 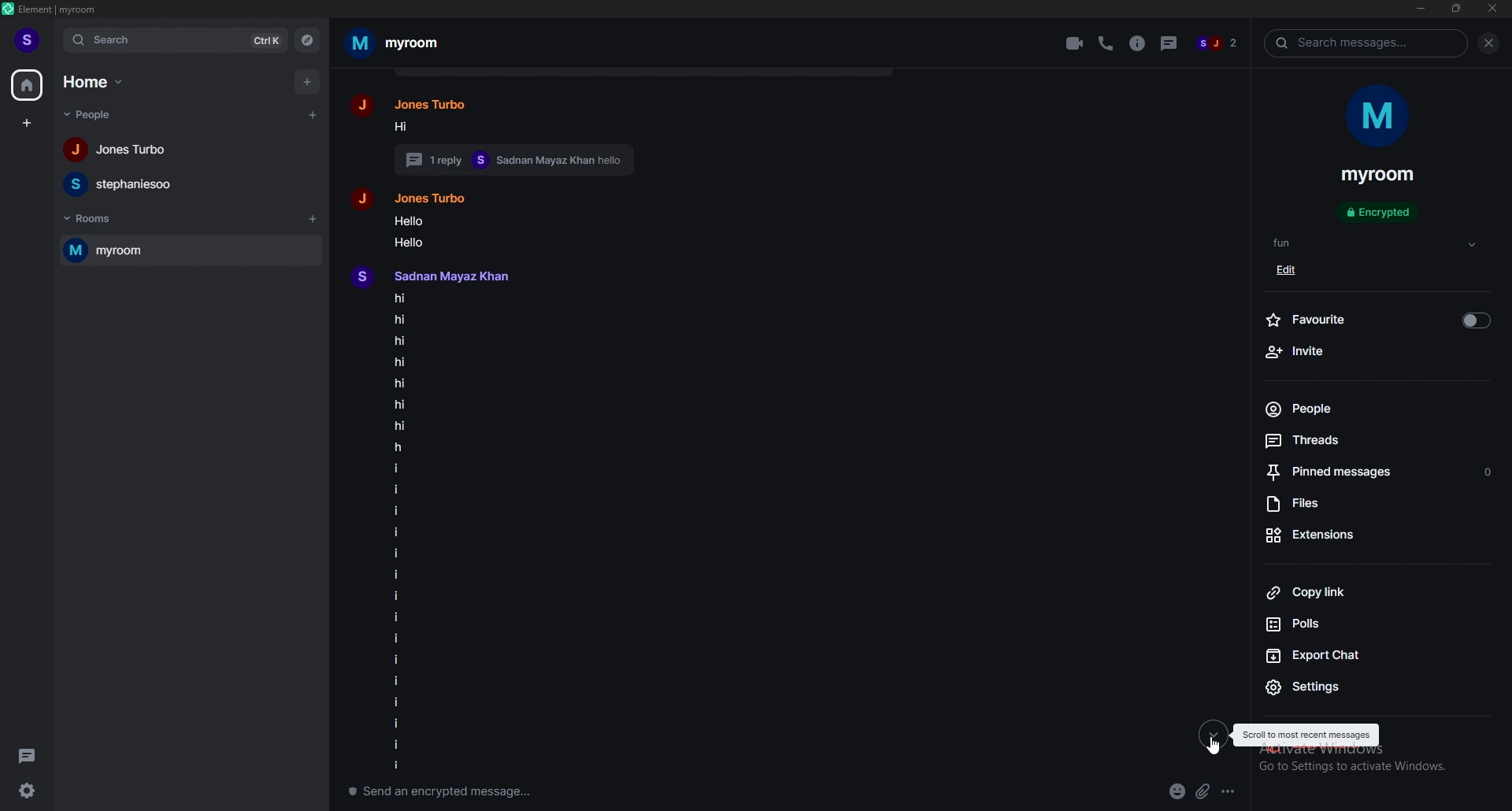 I want to click on encrypted, so click(x=1382, y=211).